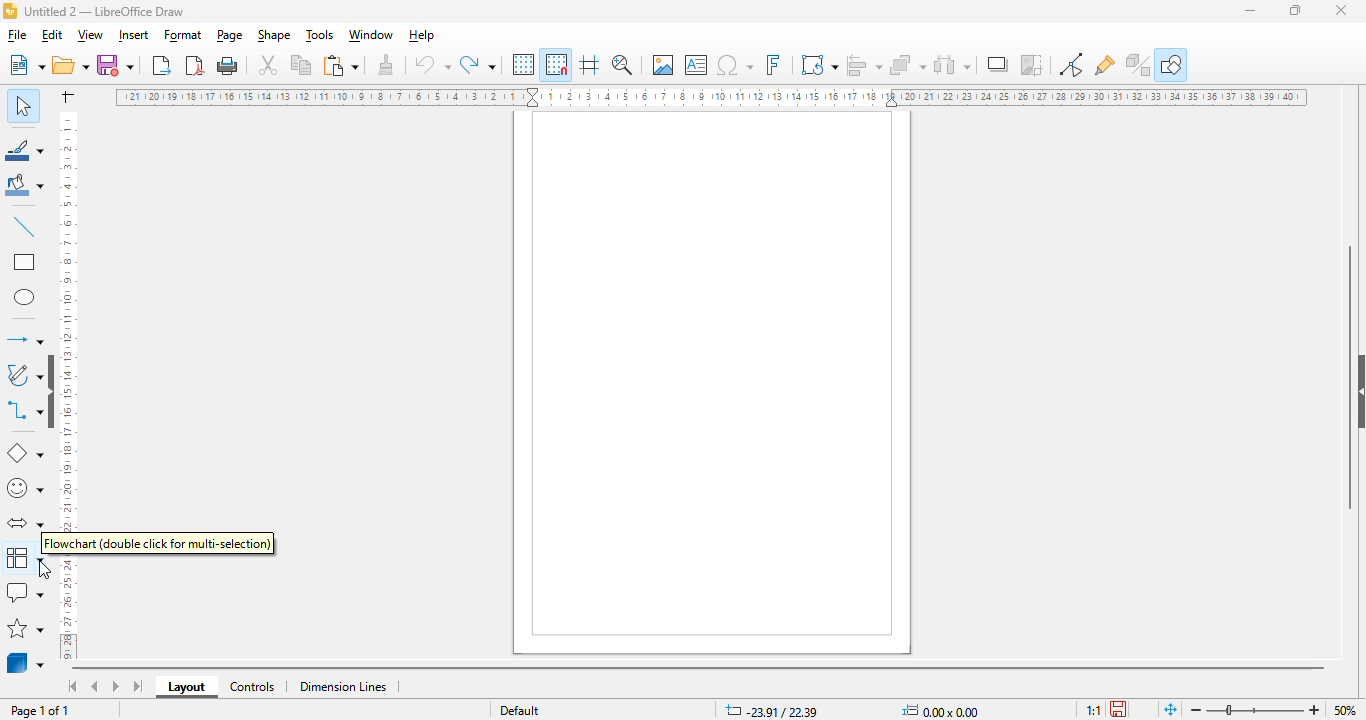  Describe the element at coordinates (254, 687) in the screenshot. I see `controls` at that location.